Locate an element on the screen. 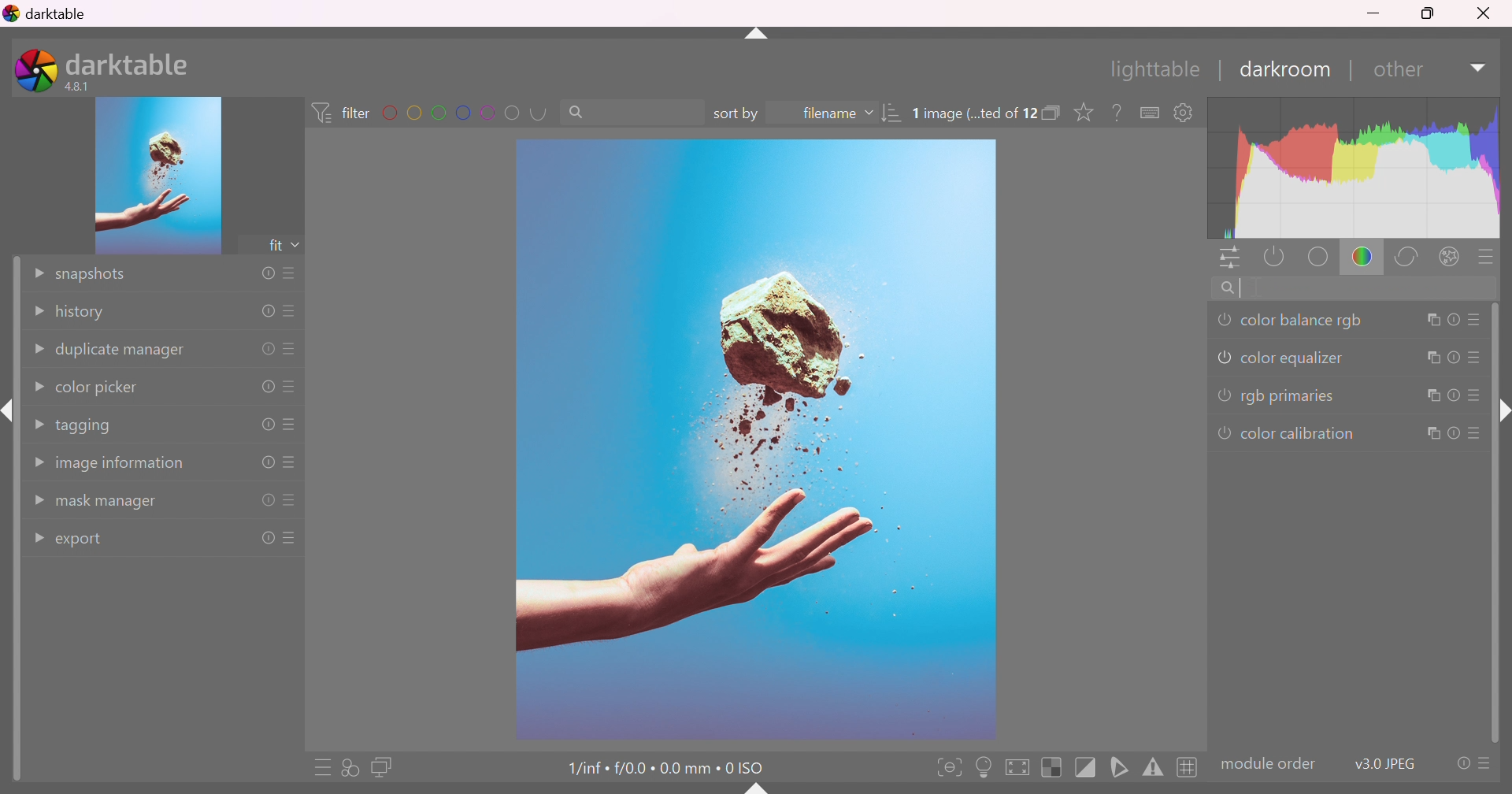 The width and height of the screenshot is (1512, 794). Minimize is located at coordinates (1376, 13).